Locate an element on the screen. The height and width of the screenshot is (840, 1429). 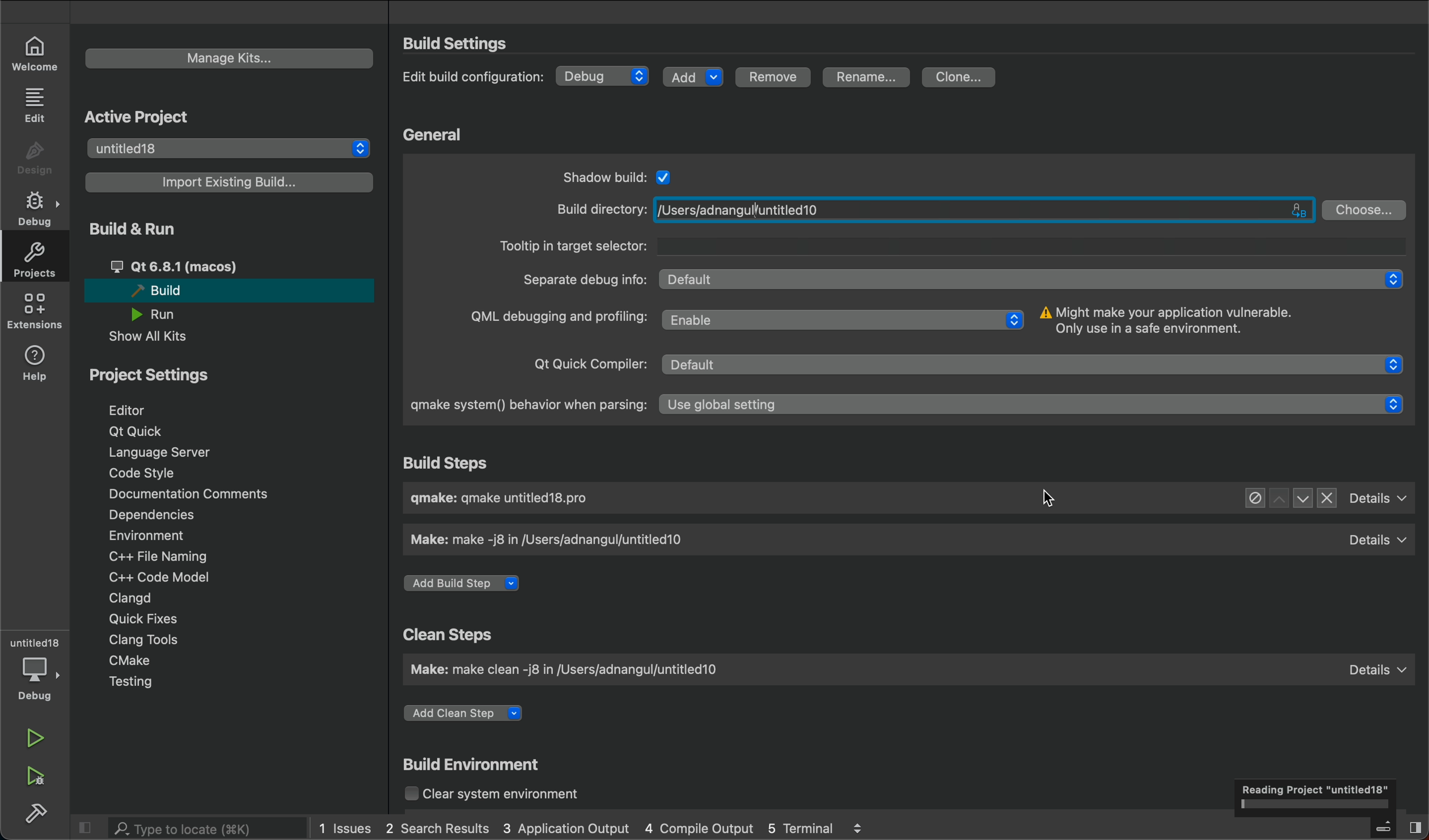
new location is located at coordinates (753, 209).